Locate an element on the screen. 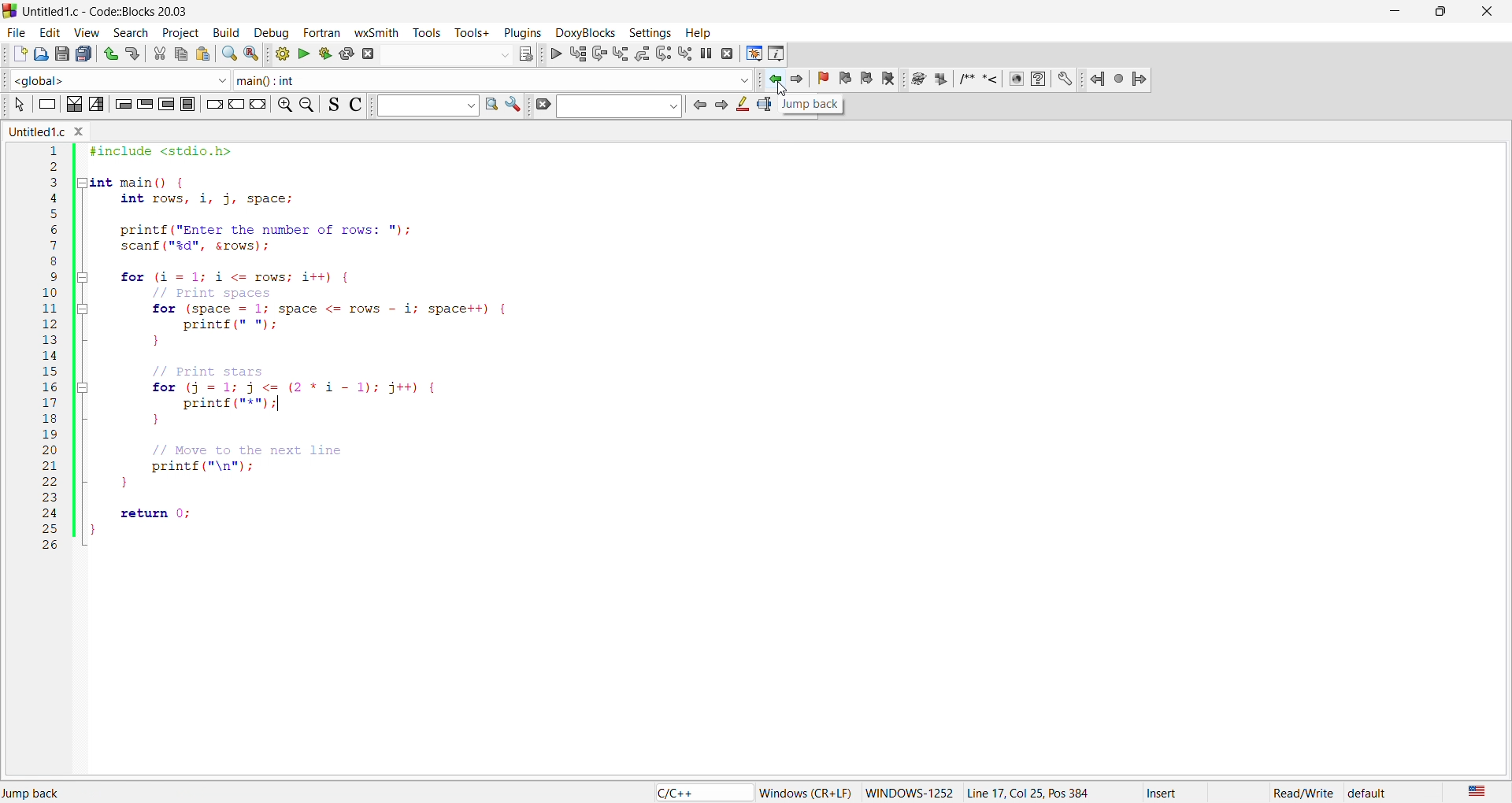 The width and height of the screenshot is (1512, 803). build is located at coordinates (279, 54).